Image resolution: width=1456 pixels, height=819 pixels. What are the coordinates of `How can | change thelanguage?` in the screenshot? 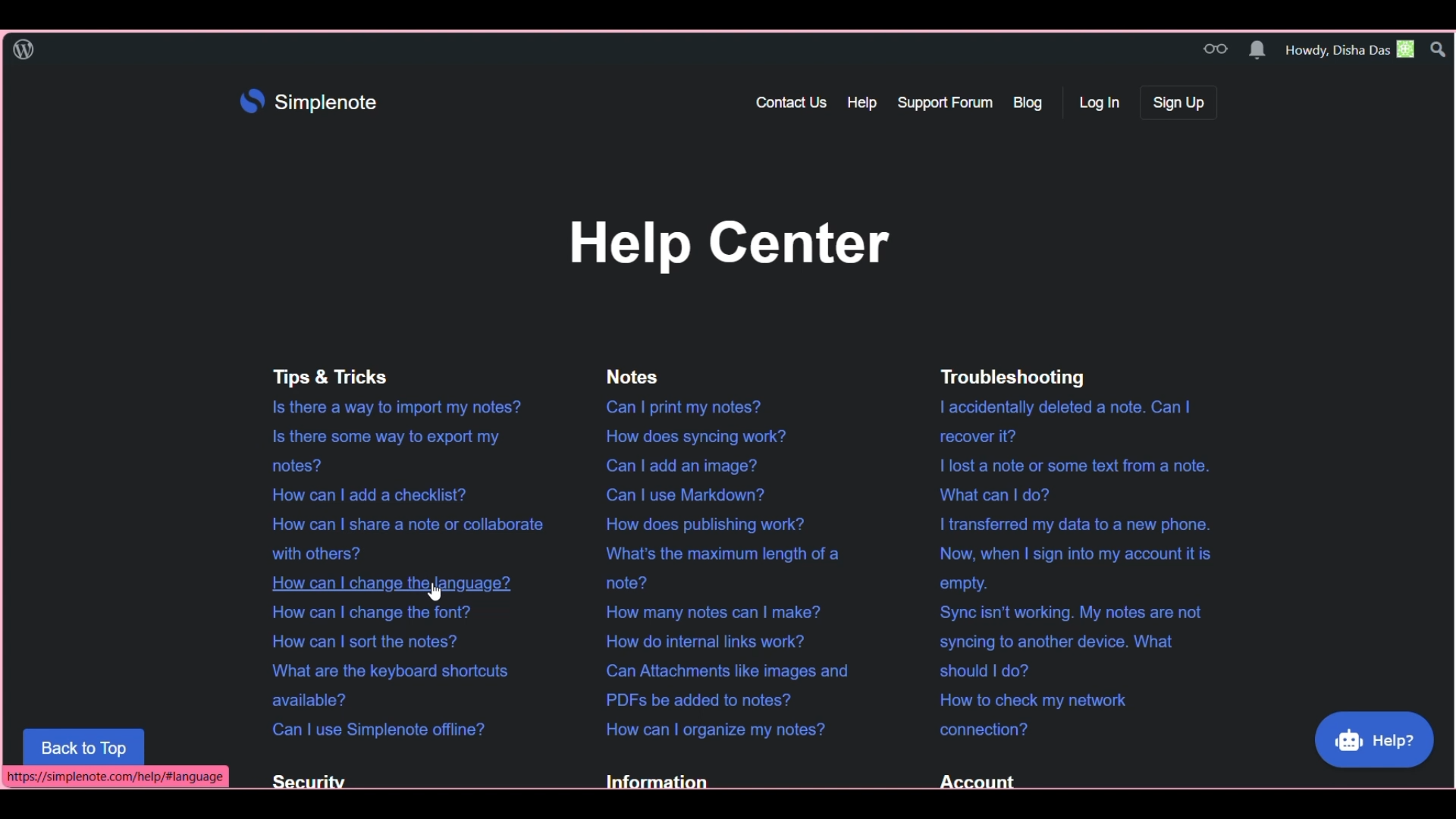 It's located at (381, 582).